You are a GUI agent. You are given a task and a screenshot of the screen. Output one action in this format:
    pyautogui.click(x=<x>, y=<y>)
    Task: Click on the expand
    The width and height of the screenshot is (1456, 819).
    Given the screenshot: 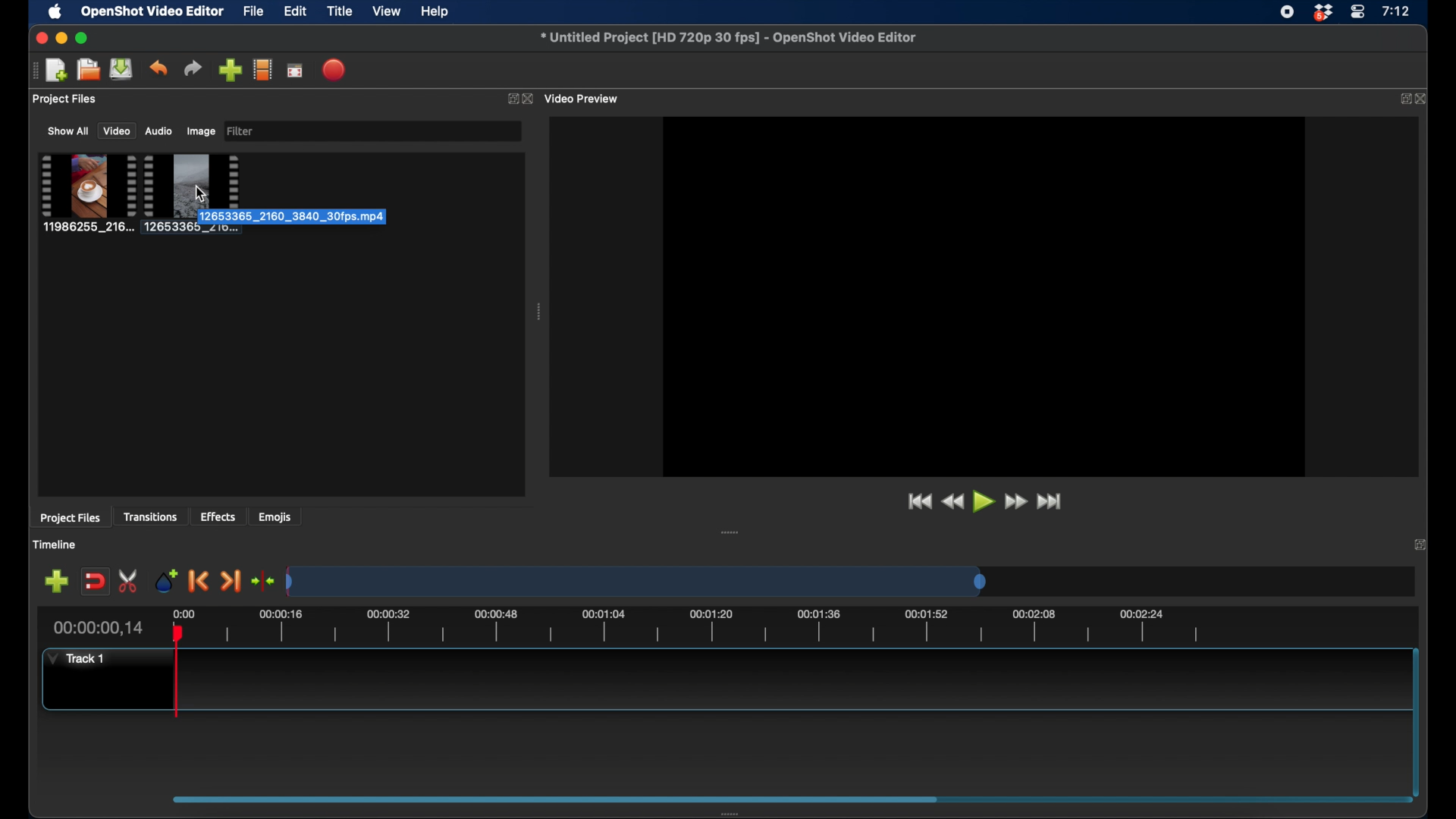 What is the action you would take?
    pyautogui.click(x=510, y=98)
    